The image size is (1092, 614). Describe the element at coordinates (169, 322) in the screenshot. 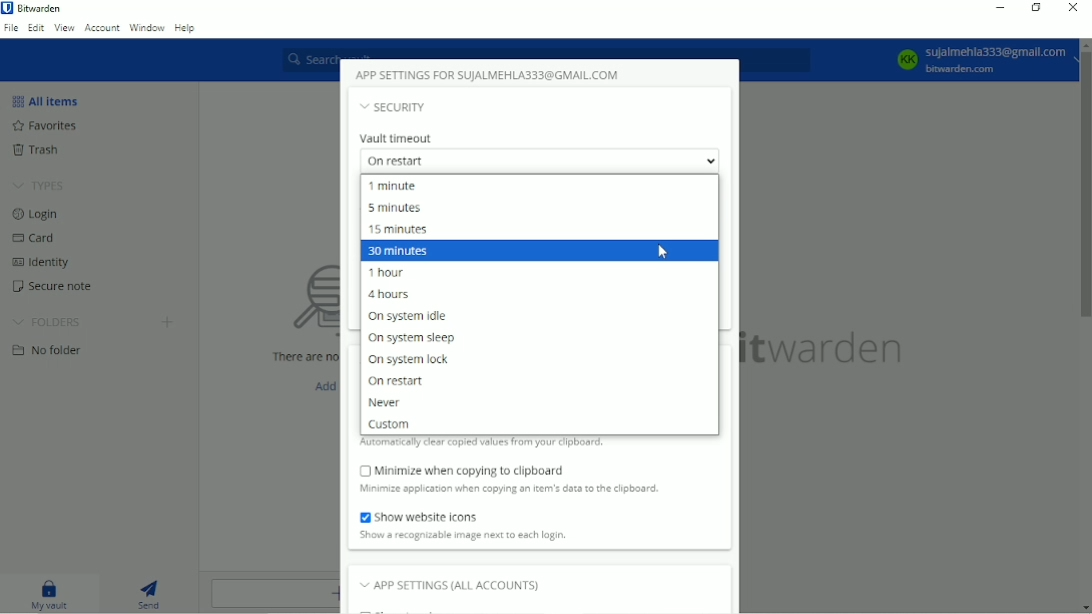

I see `Create folder` at that location.